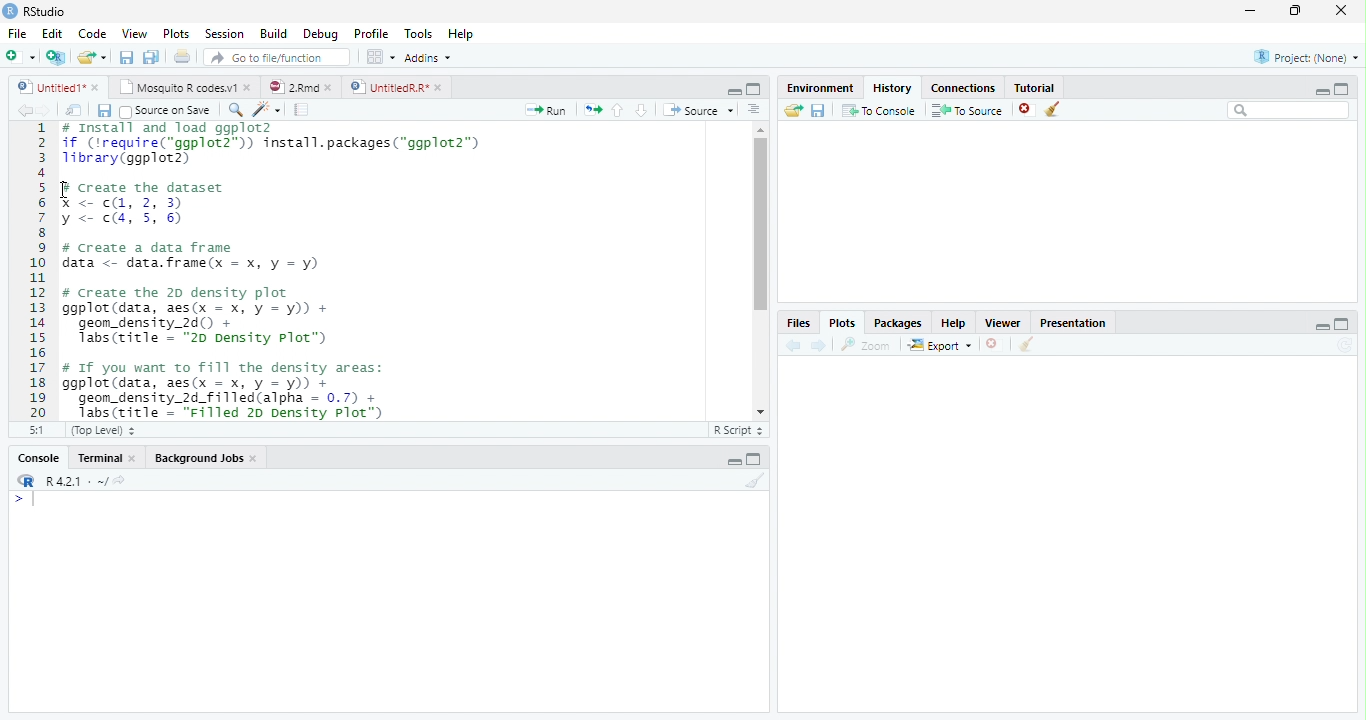 This screenshot has height=720, width=1366. I want to click on Search, so click(1289, 110).